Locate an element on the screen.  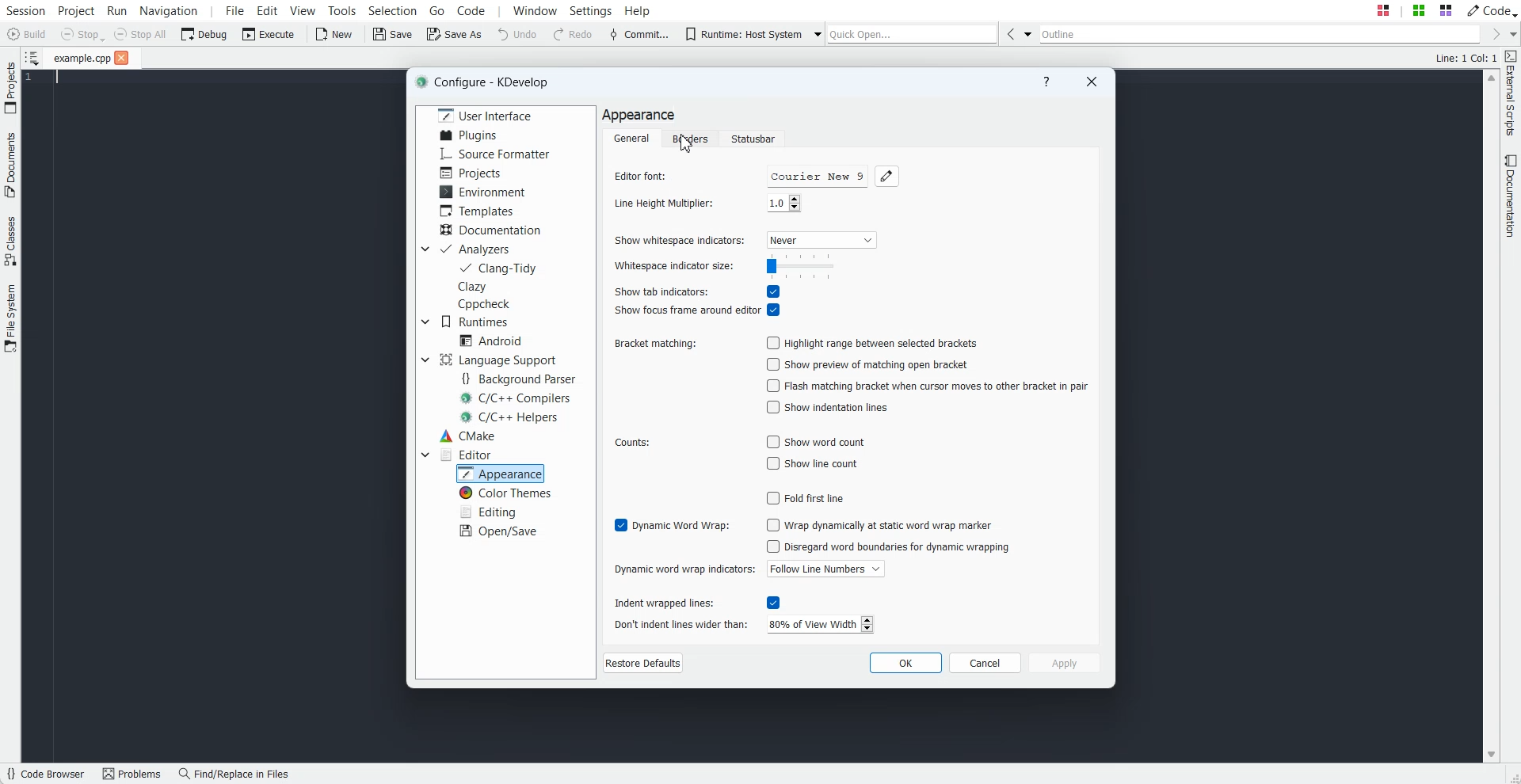
Follow line numbers is located at coordinates (825, 569).